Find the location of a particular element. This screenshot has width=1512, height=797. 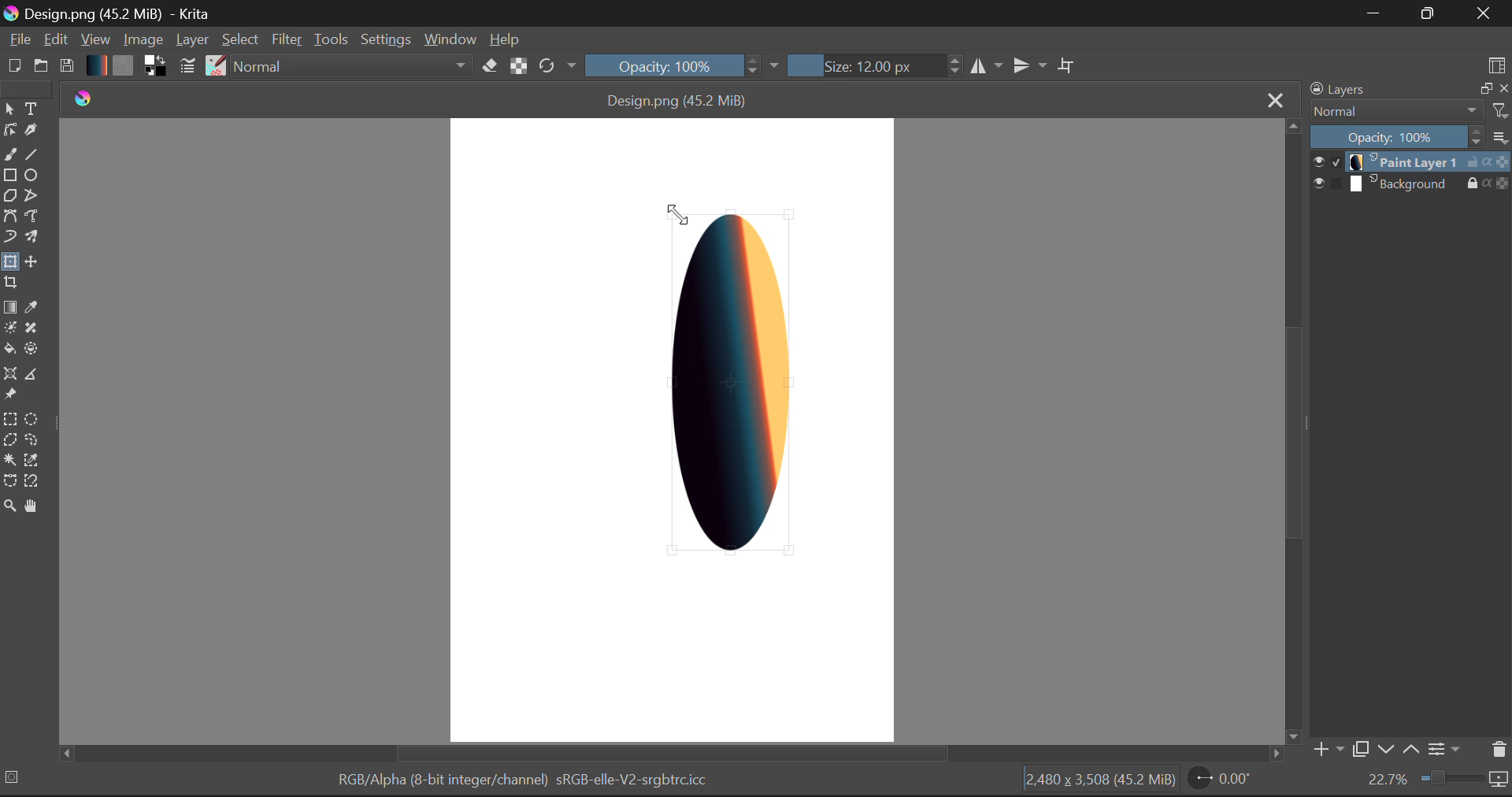

Assistant Tool is located at coordinates (10, 374).